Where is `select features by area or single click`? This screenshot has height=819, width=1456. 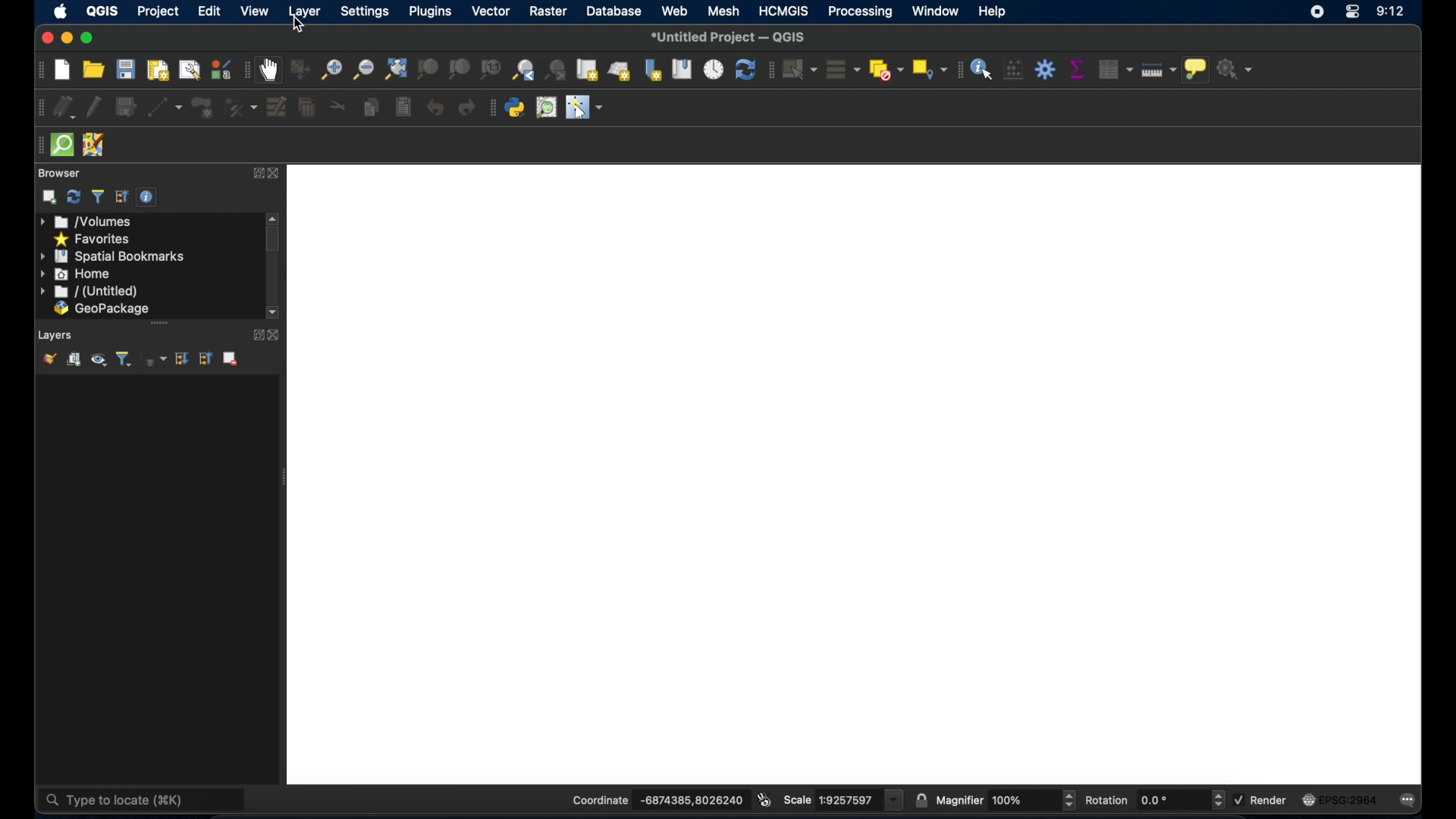
select features by area or single click is located at coordinates (800, 67).